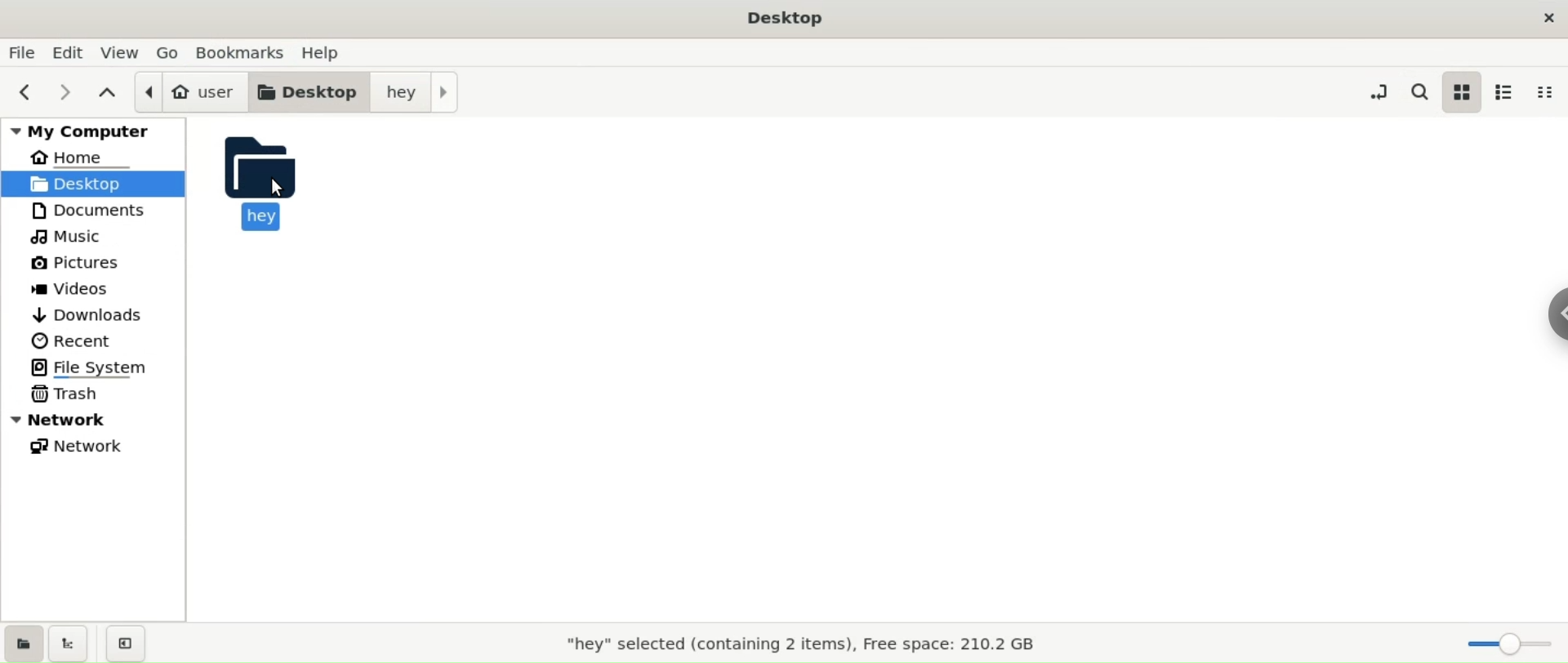 This screenshot has height=663, width=1568. What do you see at coordinates (272, 180) in the screenshot?
I see `hey` at bounding box center [272, 180].